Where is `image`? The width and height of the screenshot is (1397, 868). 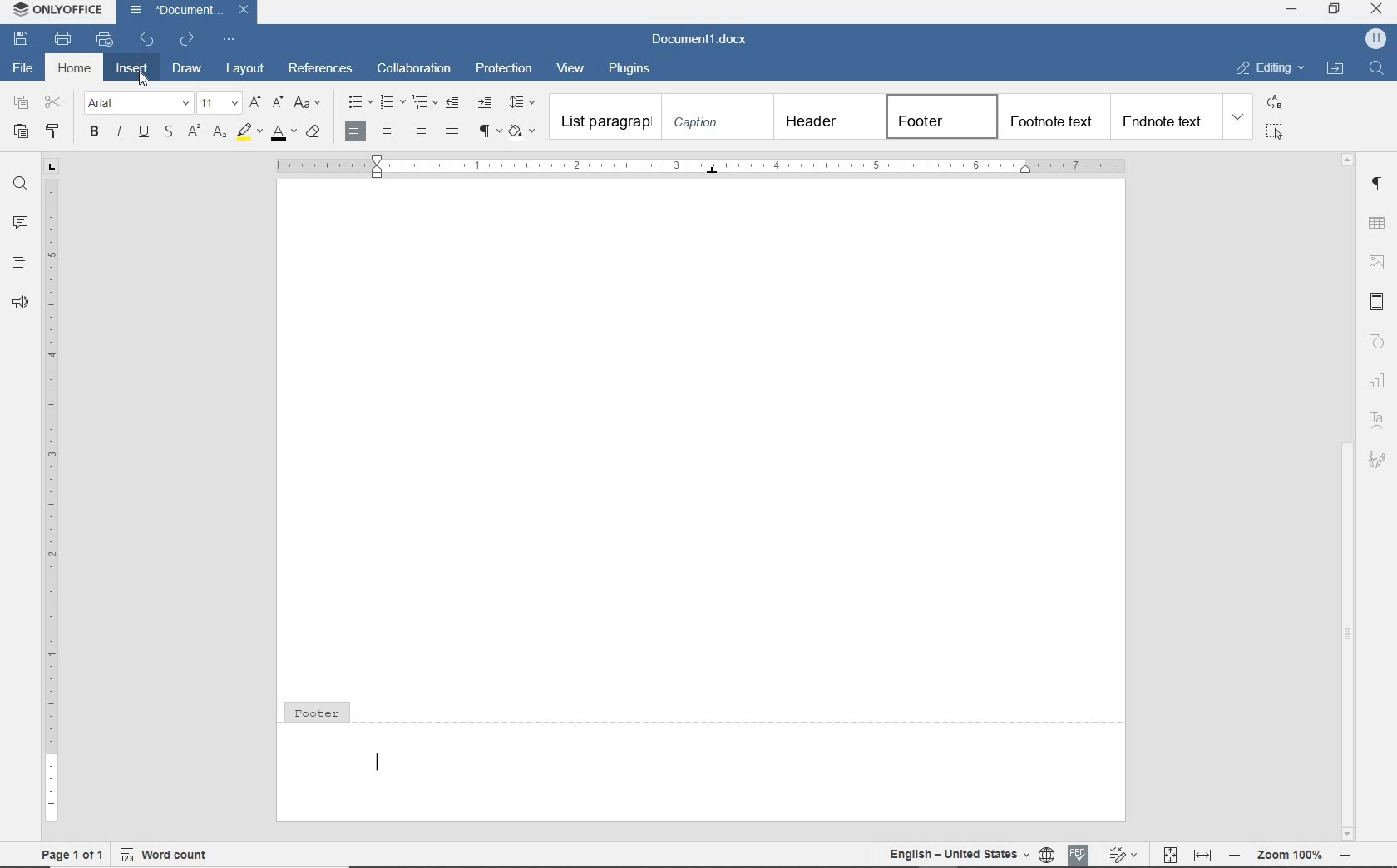
image is located at coordinates (1378, 259).